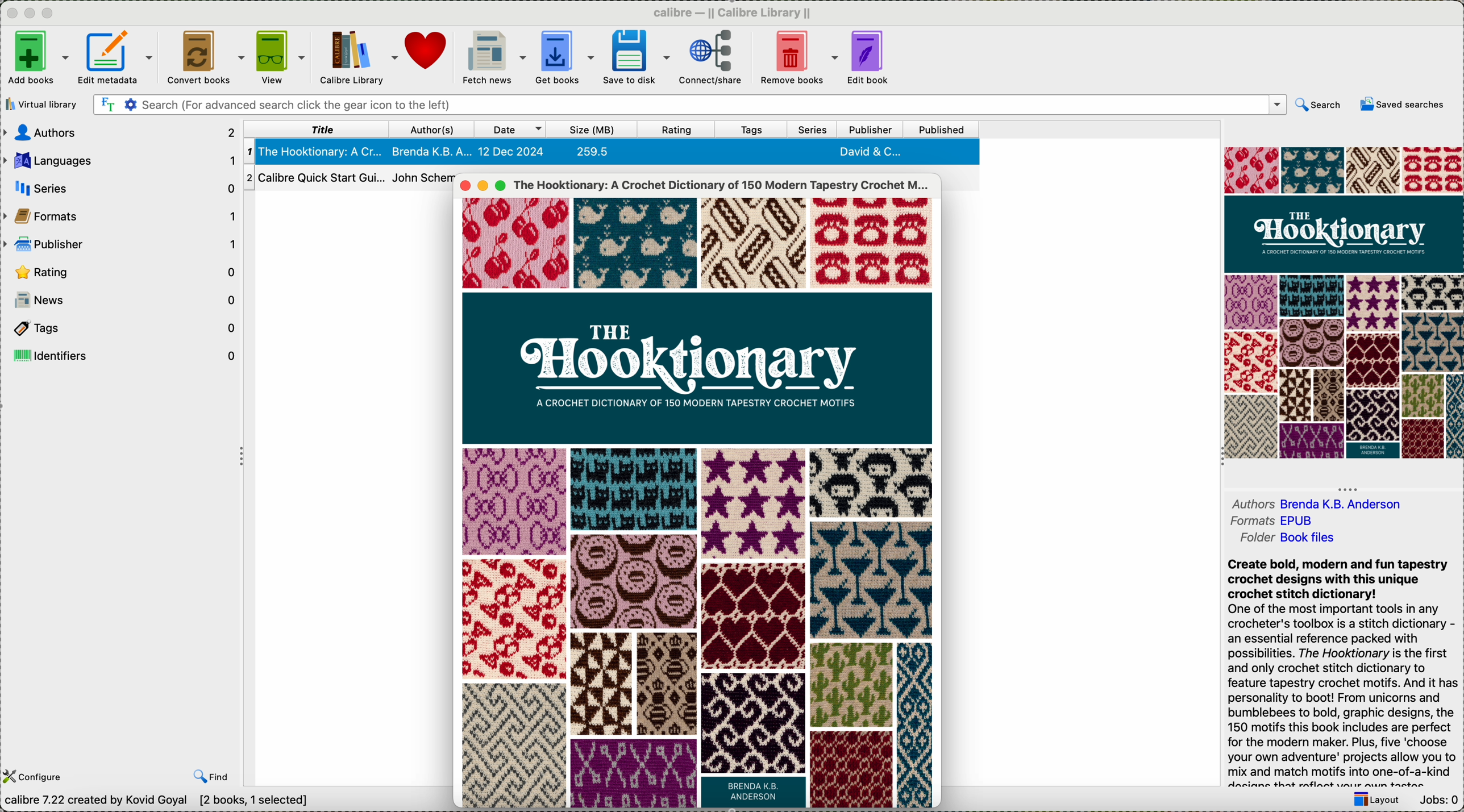 The height and width of the screenshot is (812, 1464). I want to click on series, so click(120, 186).